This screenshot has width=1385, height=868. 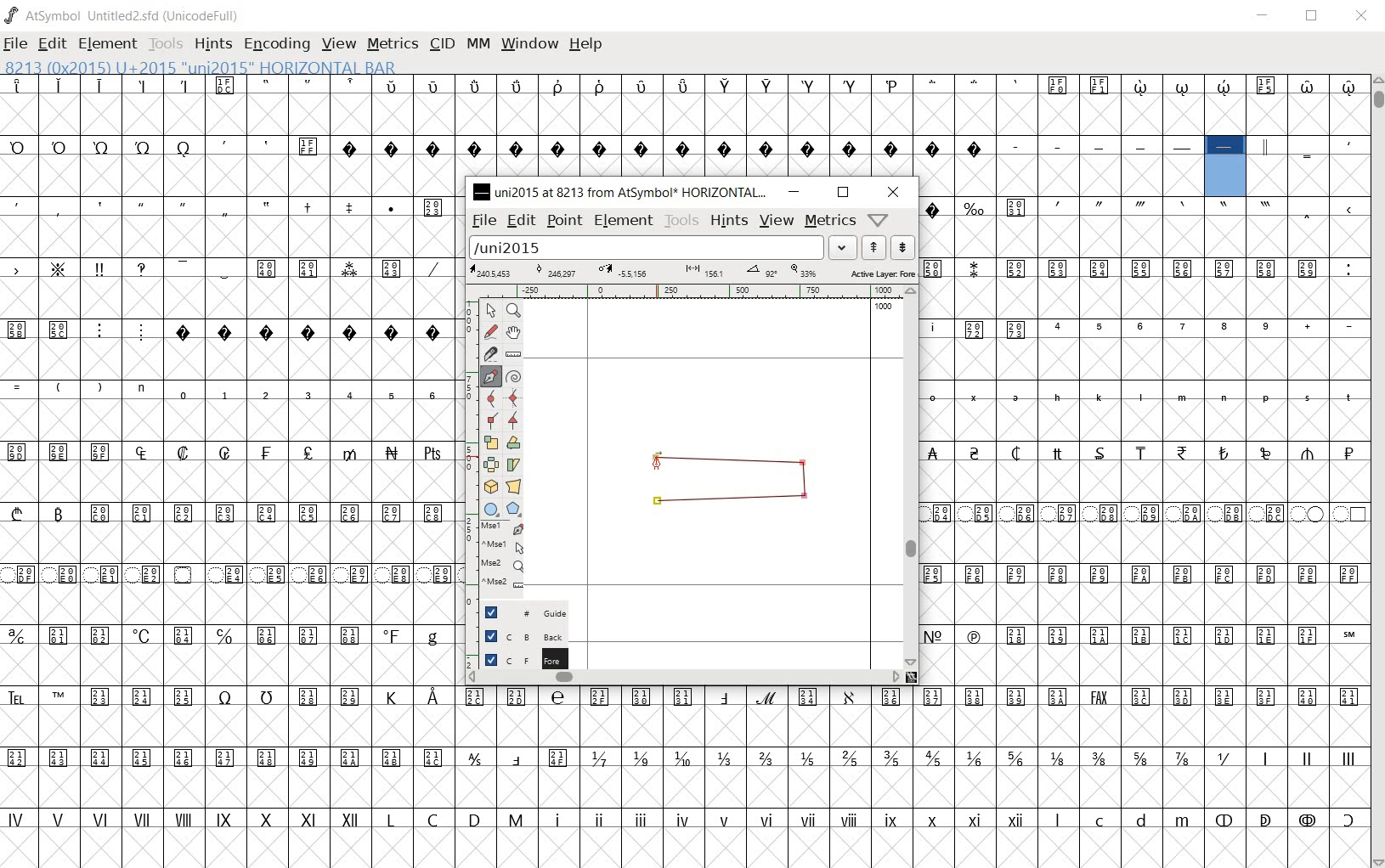 I want to click on restore down, so click(x=842, y=193).